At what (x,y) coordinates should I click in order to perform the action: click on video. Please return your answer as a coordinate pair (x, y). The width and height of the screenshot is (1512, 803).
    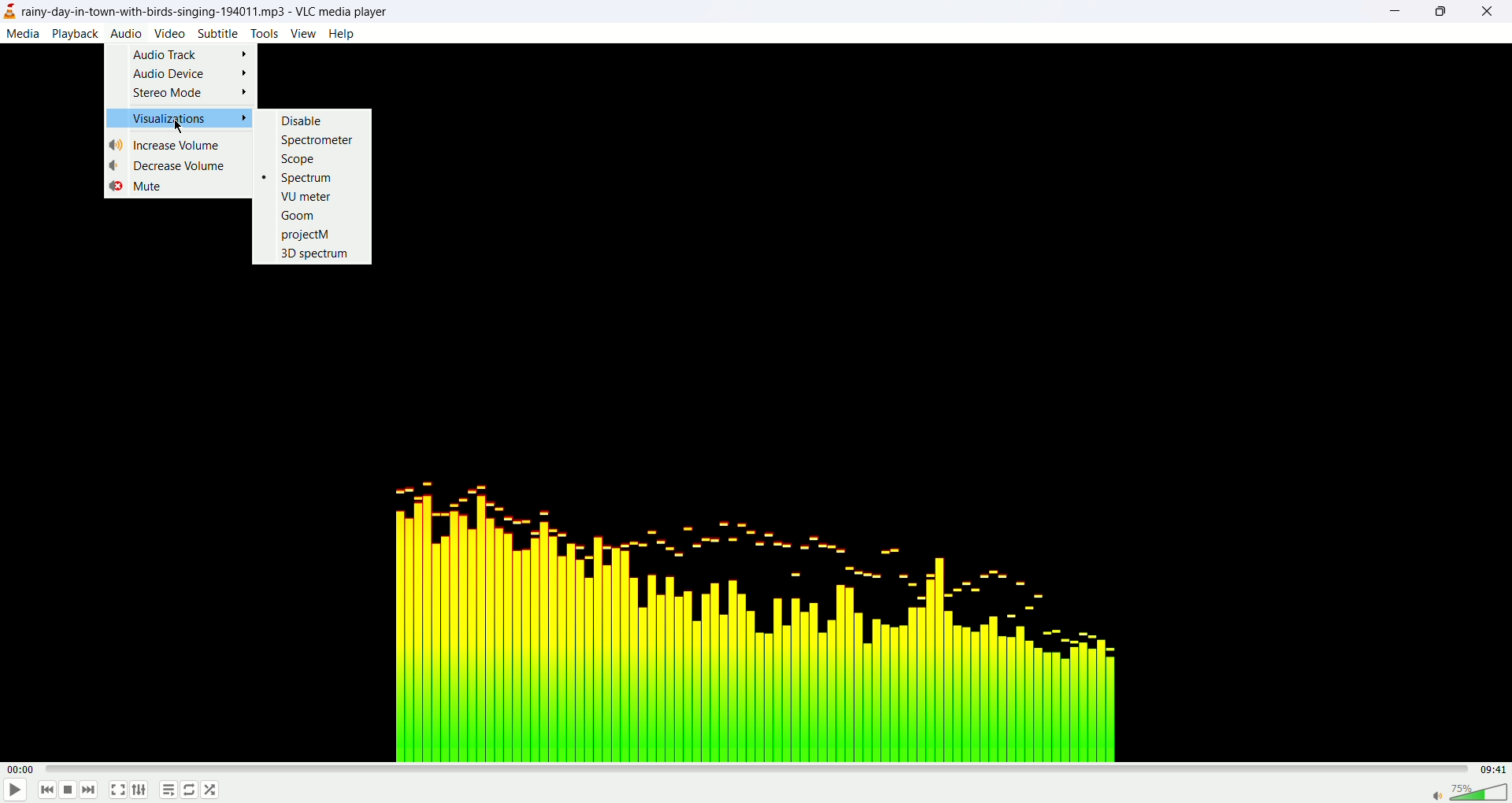
    Looking at the image, I should click on (170, 32).